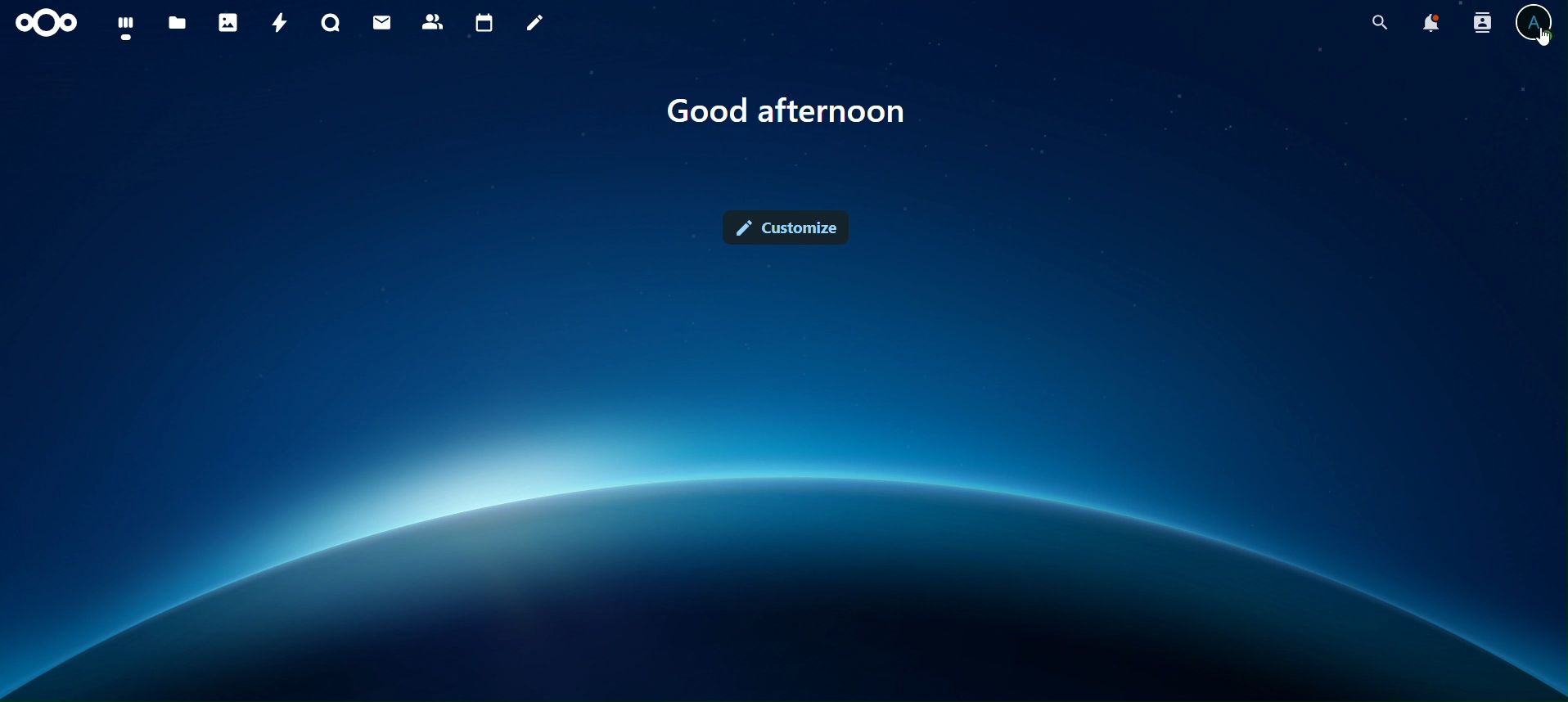 This screenshot has height=702, width=1568. What do you see at coordinates (1476, 22) in the screenshot?
I see `search contacts` at bounding box center [1476, 22].